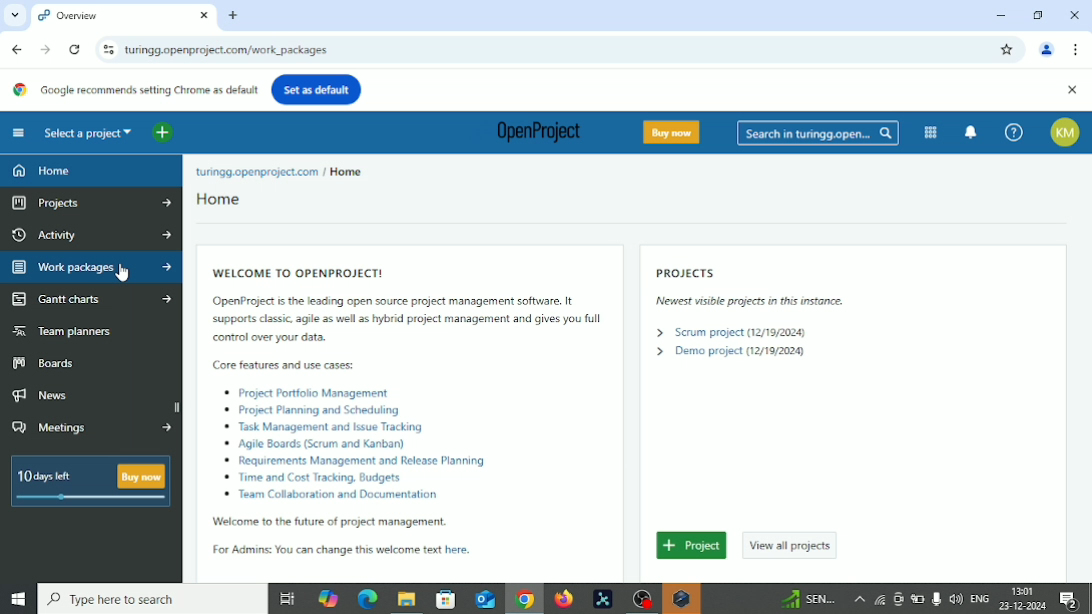 The height and width of the screenshot is (614, 1092). What do you see at coordinates (534, 134) in the screenshot?
I see `OpenProject` at bounding box center [534, 134].